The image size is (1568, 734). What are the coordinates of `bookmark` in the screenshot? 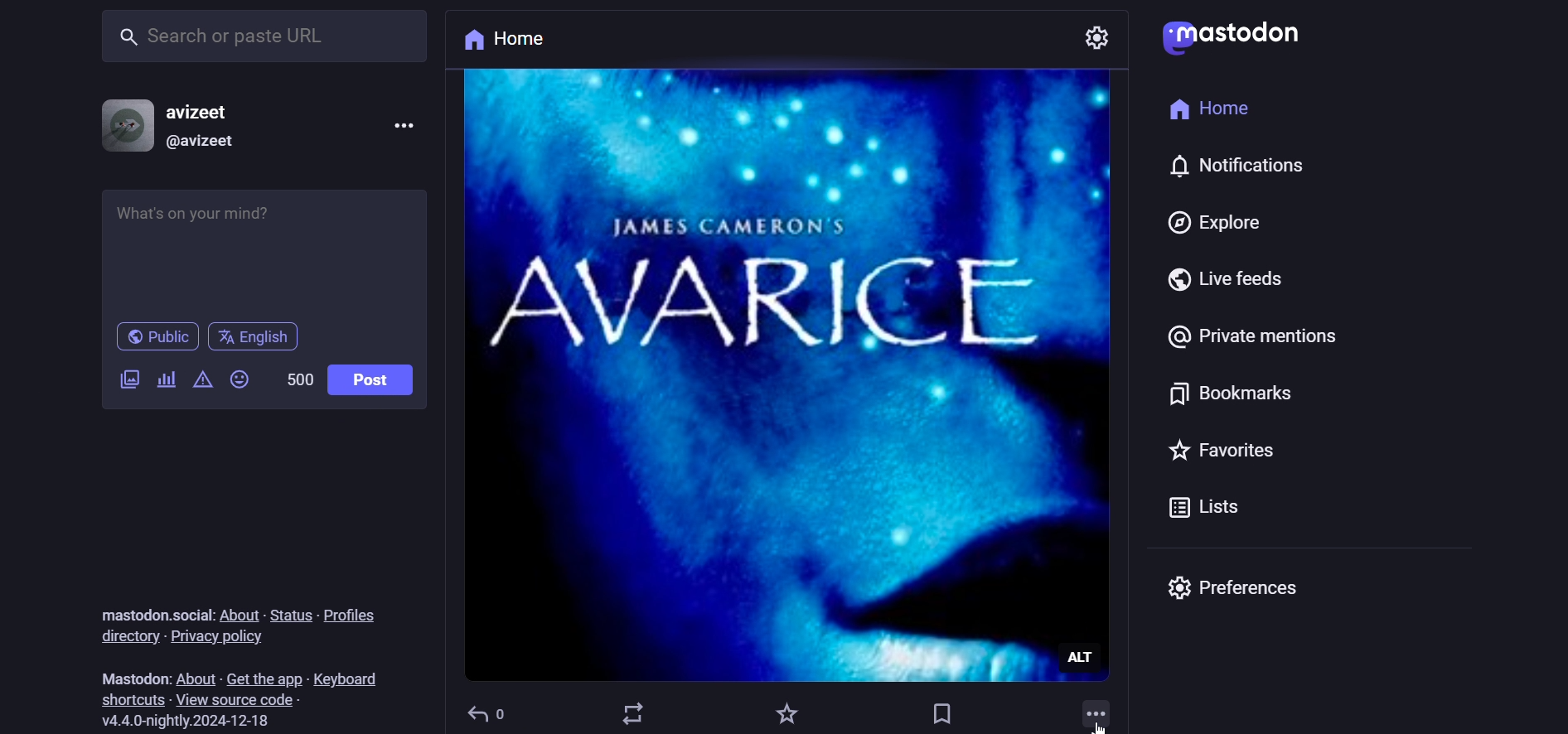 It's located at (1229, 390).